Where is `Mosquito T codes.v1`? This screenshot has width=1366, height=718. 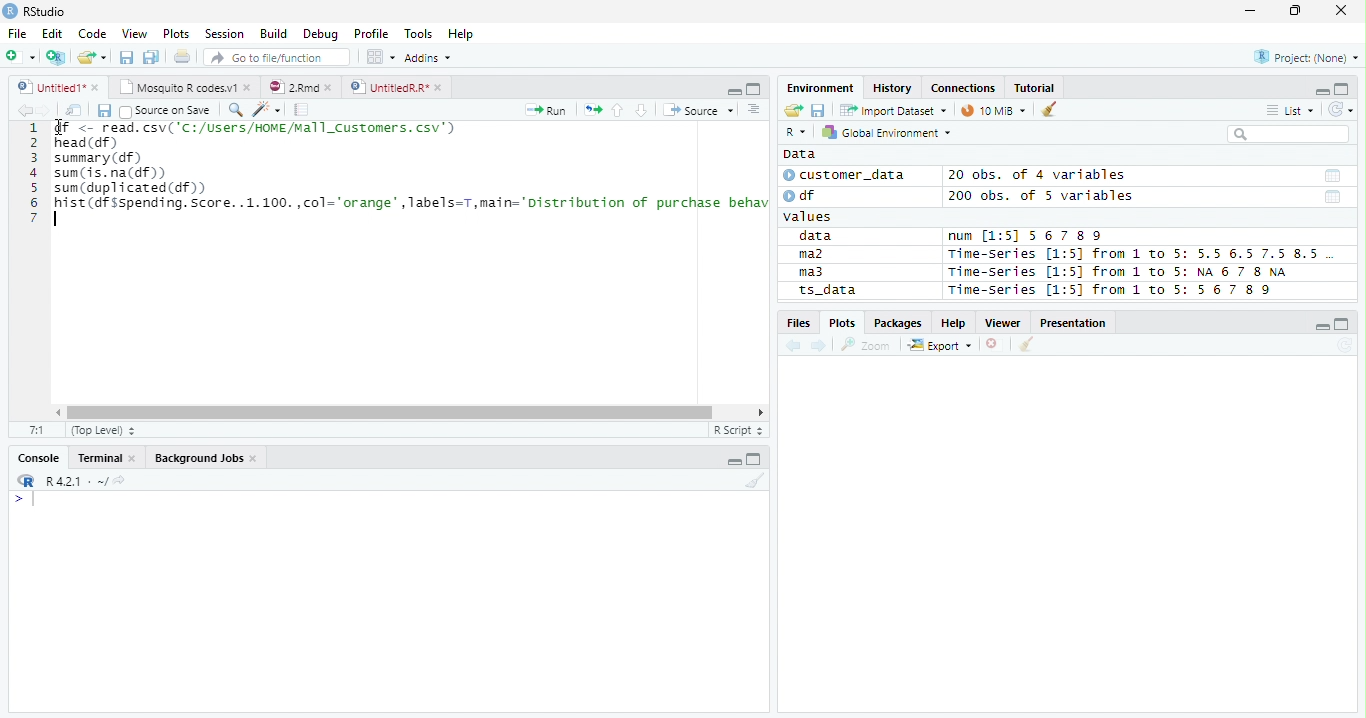
Mosquito T codes.v1 is located at coordinates (185, 88).